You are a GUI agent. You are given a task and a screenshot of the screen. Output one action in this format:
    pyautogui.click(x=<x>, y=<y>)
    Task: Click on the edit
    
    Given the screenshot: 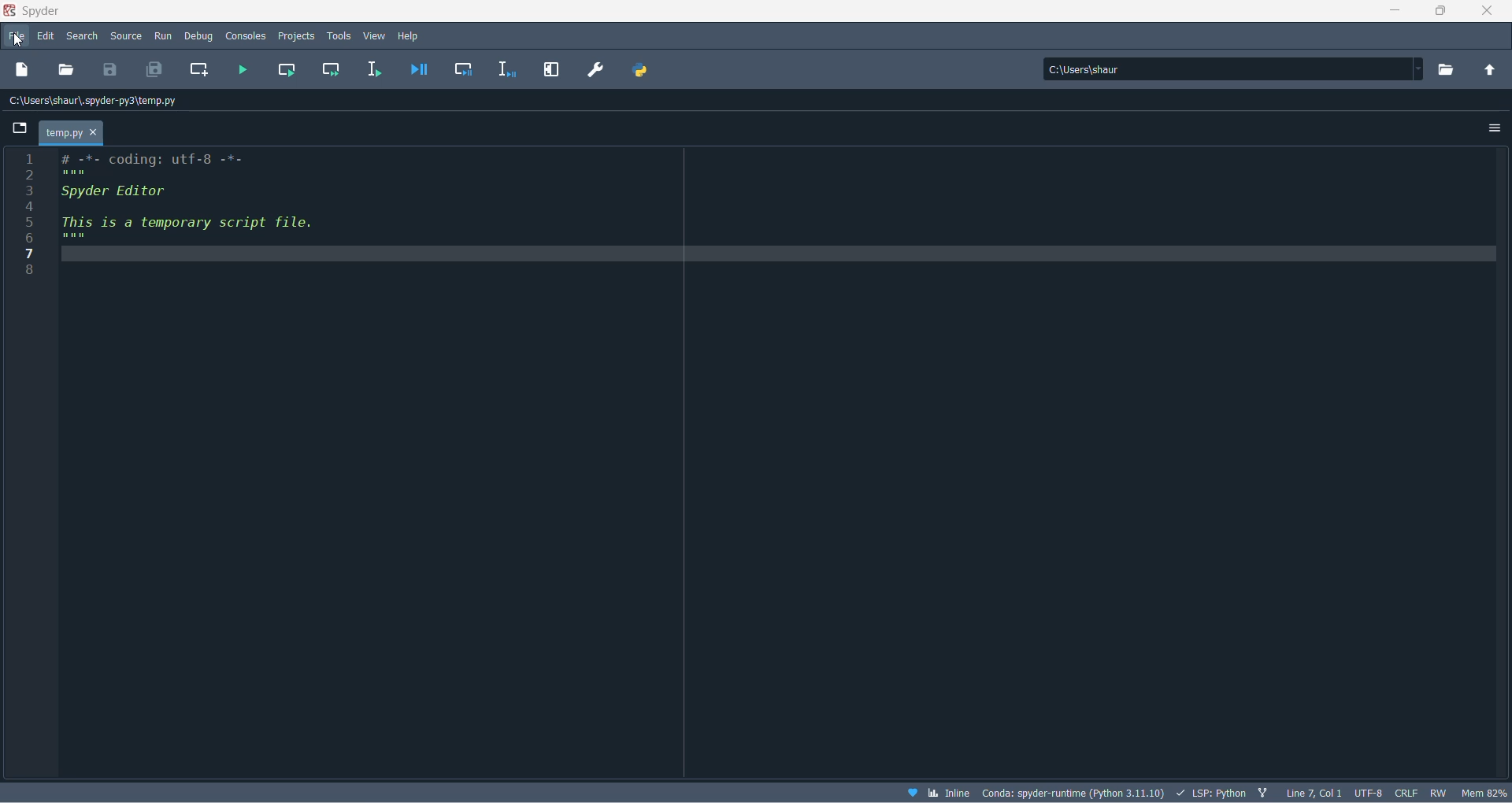 What is the action you would take?
    pyautogui.click(x=46, y=37)
    